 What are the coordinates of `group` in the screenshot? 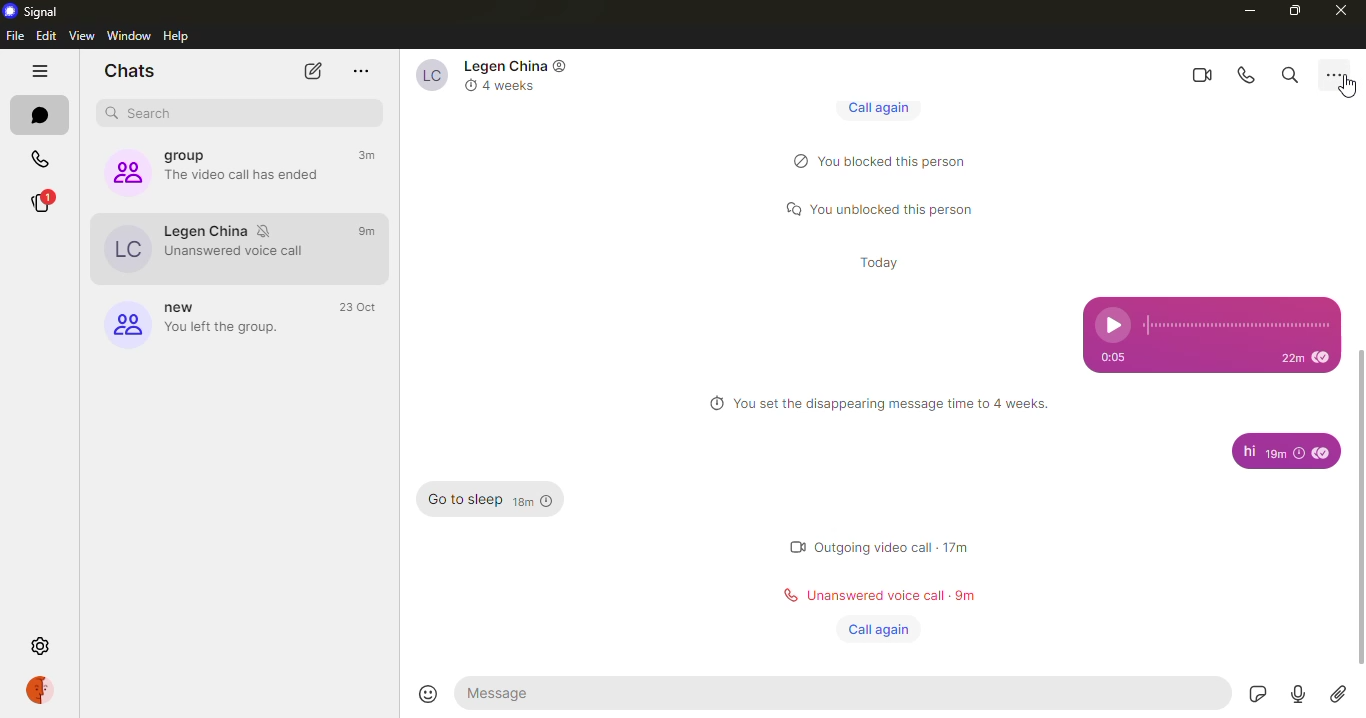 It's located at (202, 320).